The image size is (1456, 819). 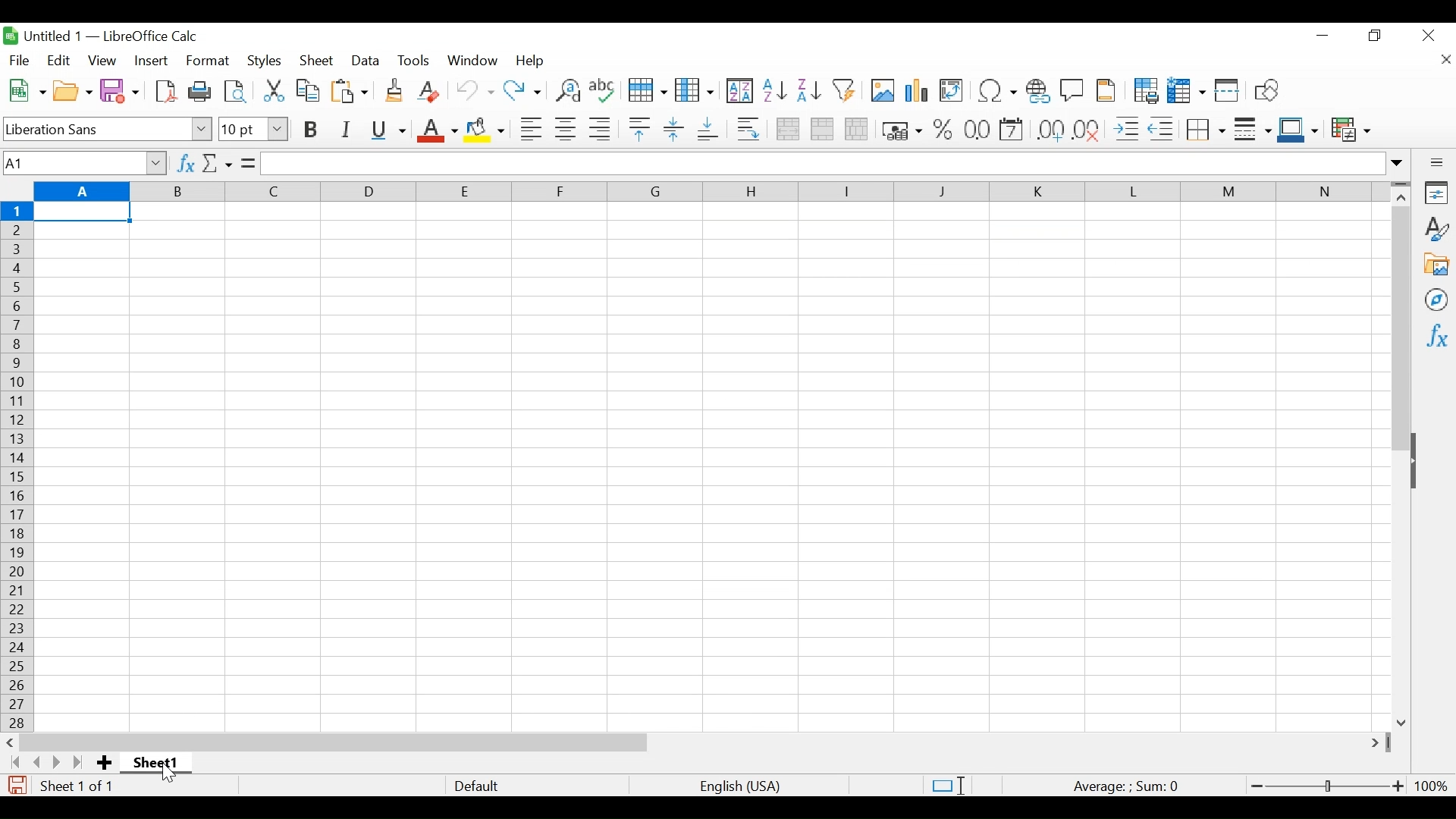 What do you see at coordinates (1436, 227) in the screenshot?
I see `Styles` at bounding box center [1436, 227].